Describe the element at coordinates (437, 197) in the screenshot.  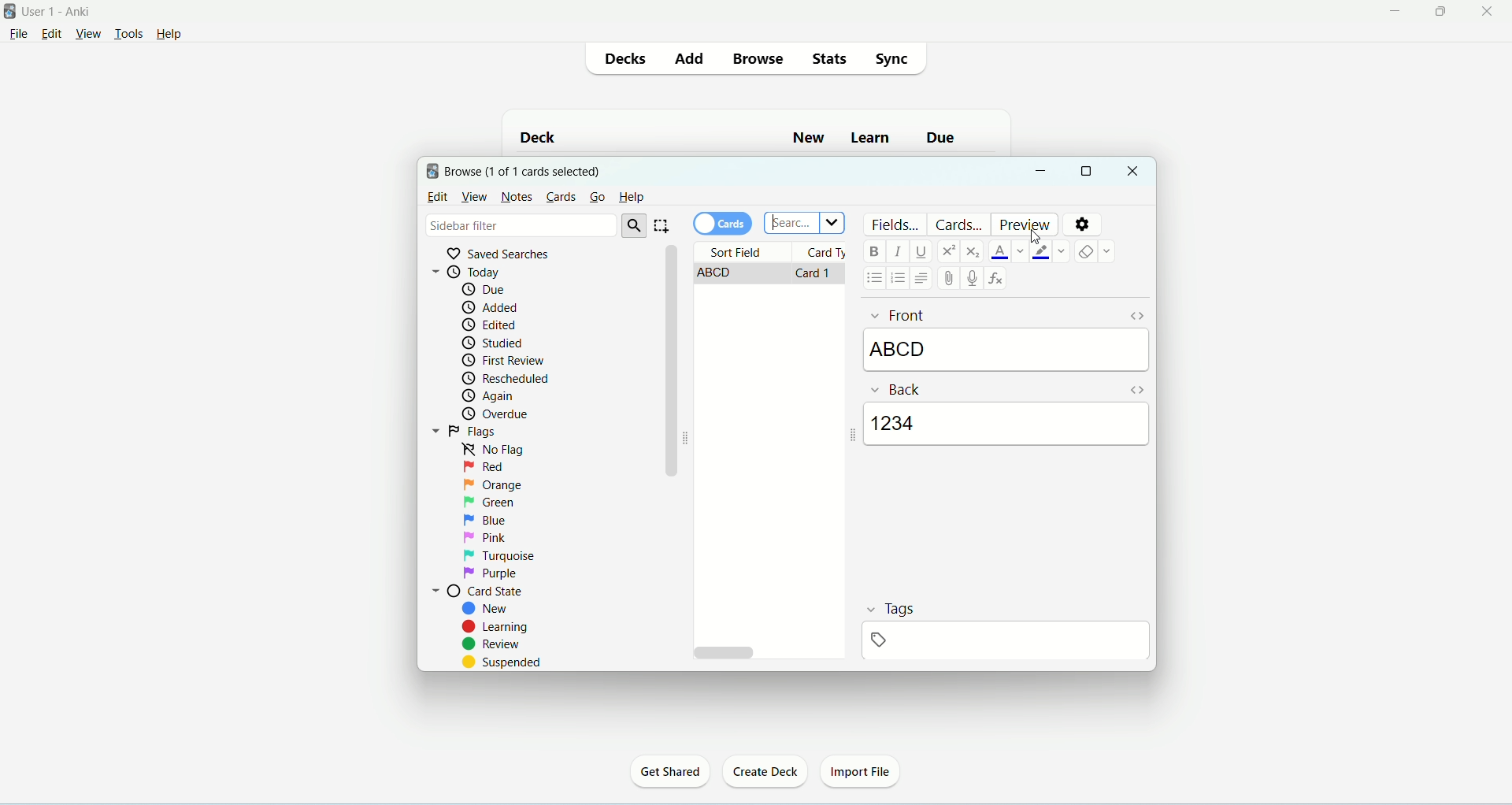
I see `edit` at that location.